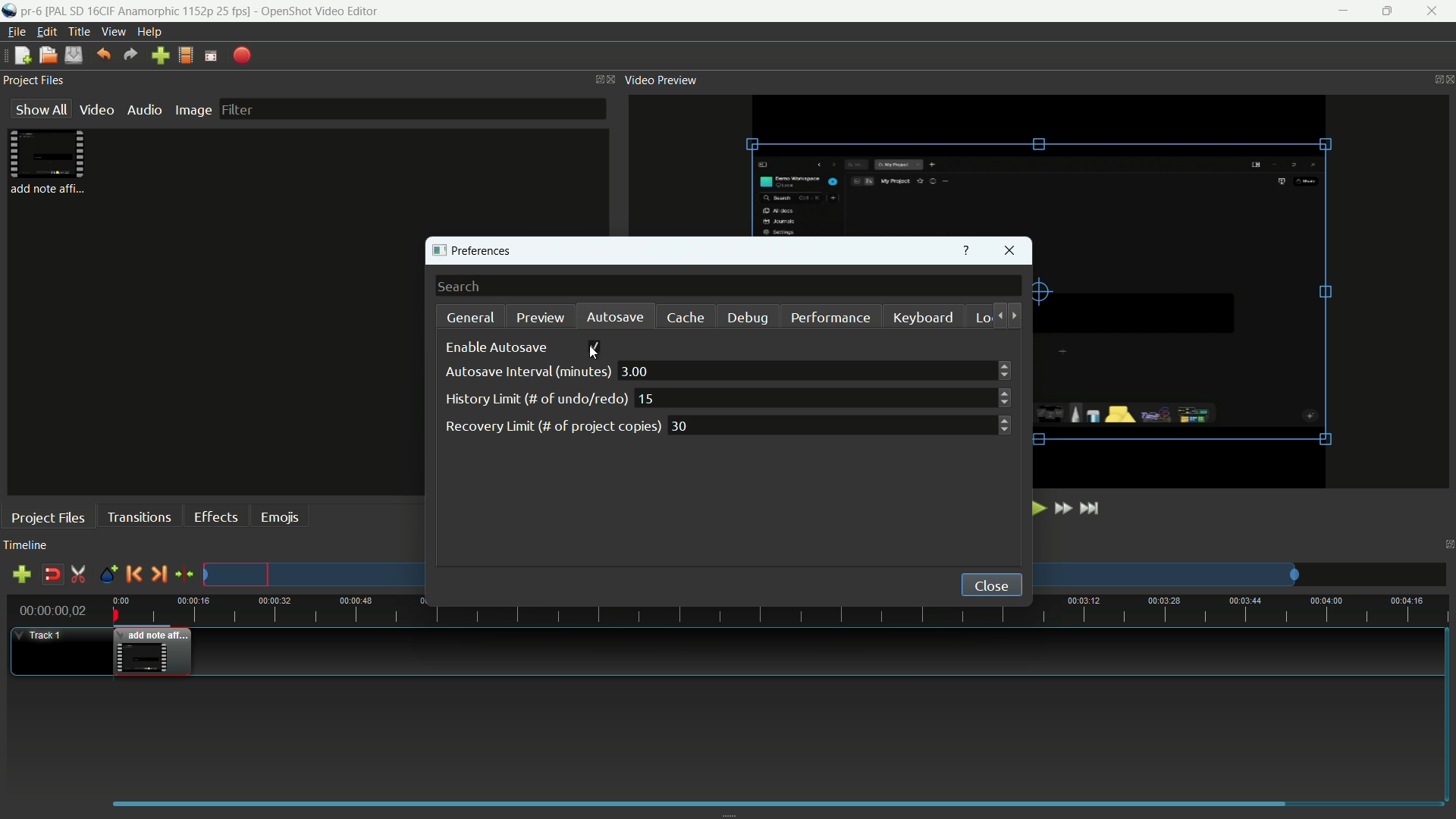  I want to click on project files, so click(49, 162).